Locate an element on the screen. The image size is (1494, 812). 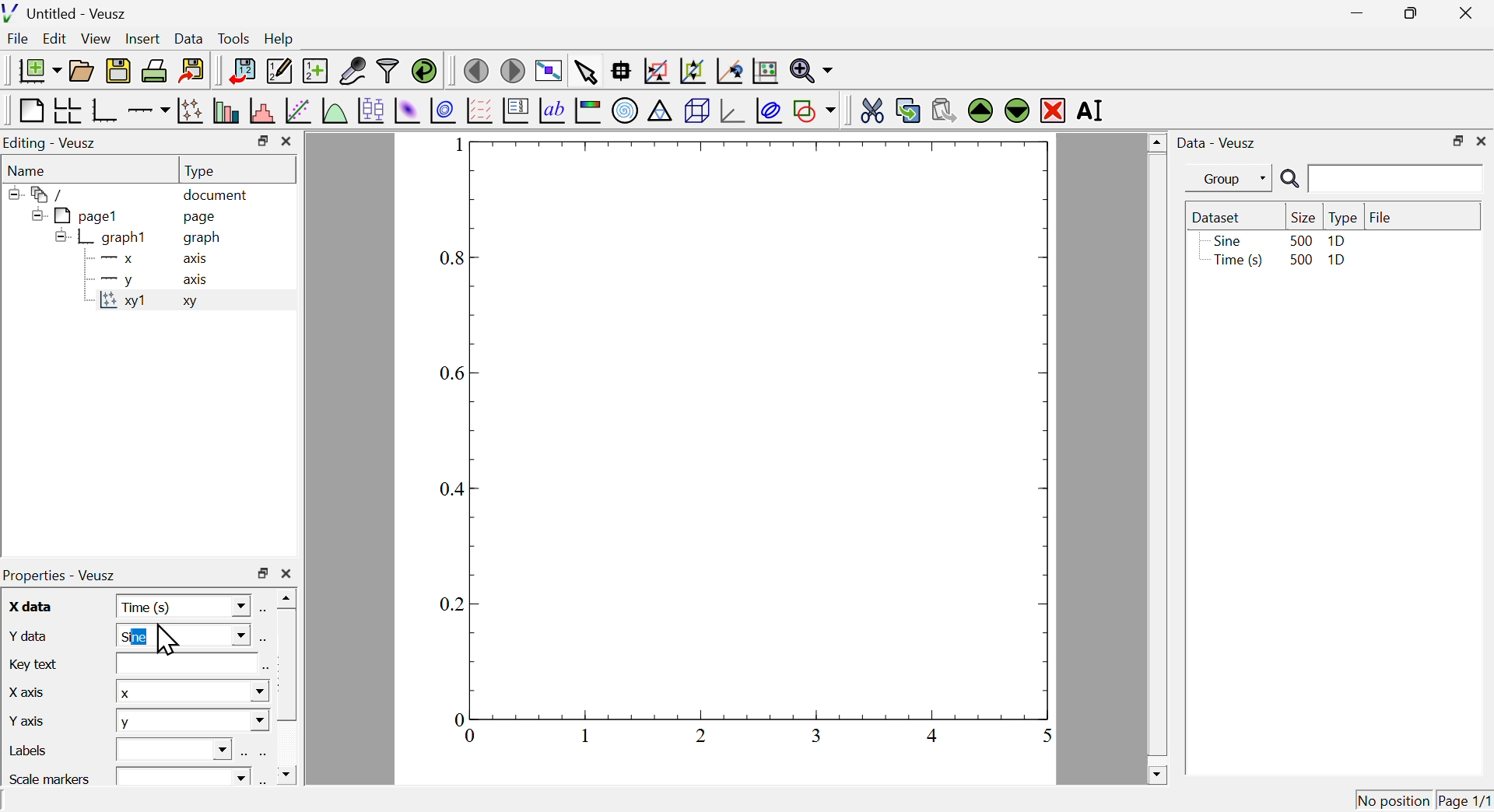
page1 is located at coordinates (77, 215).